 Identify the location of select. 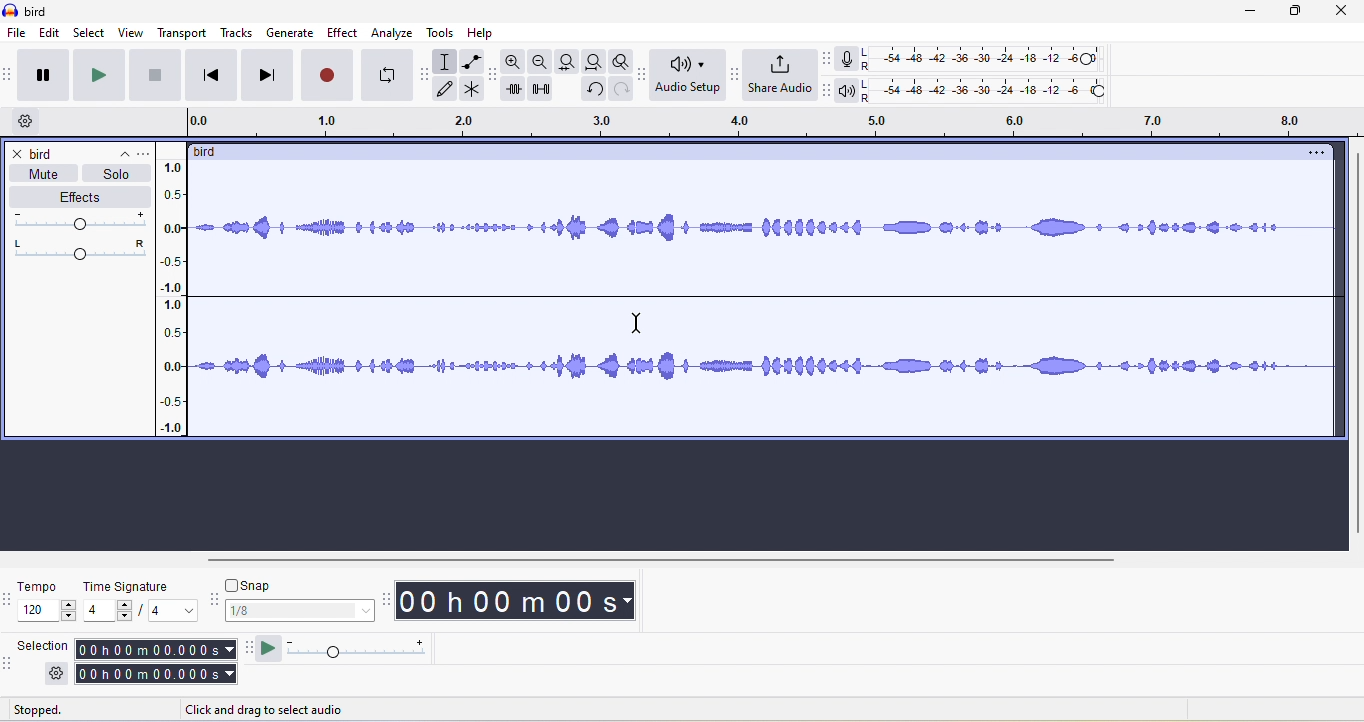
(91, 33).